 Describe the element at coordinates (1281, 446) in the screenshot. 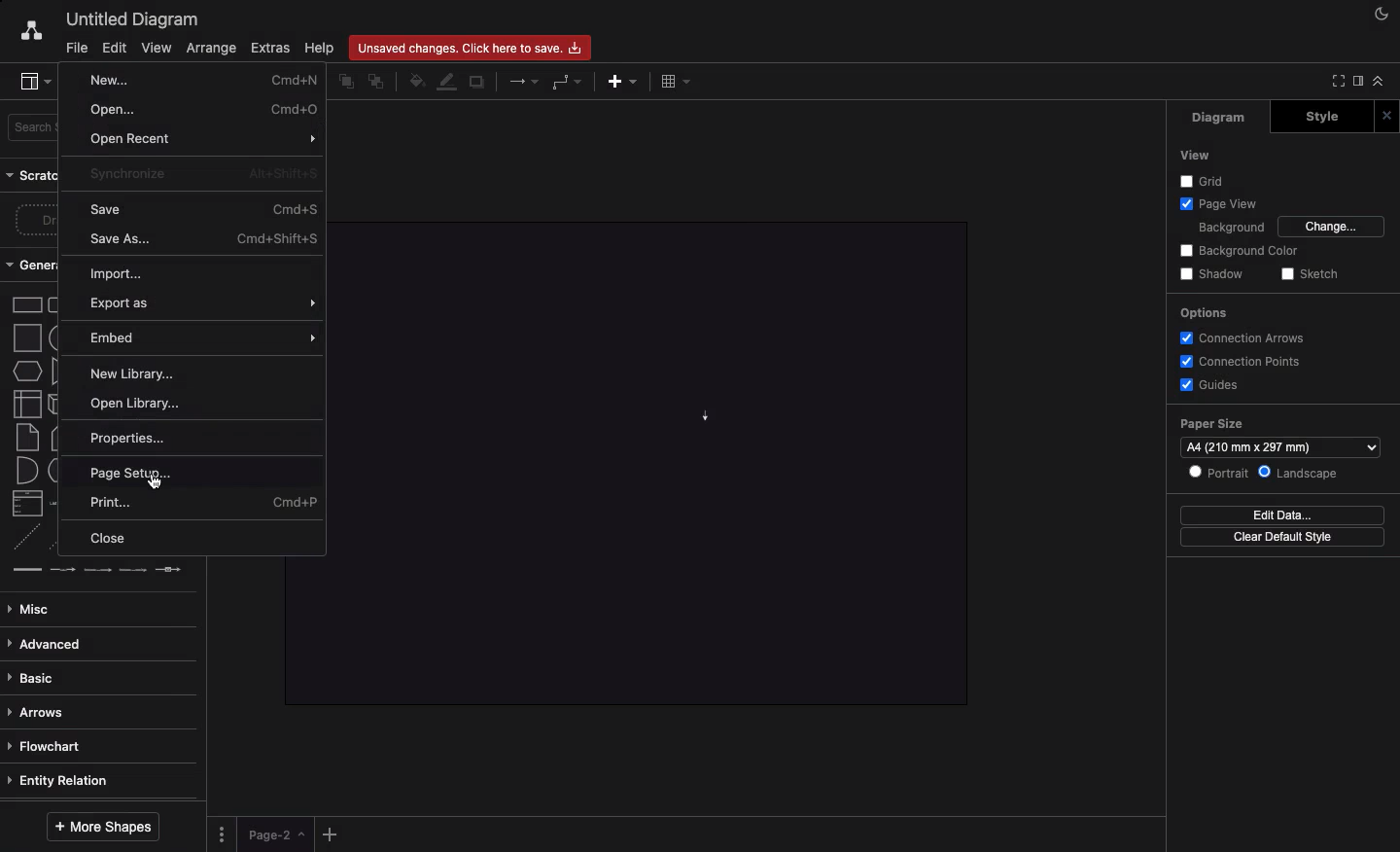

I see `A4 (210 mm x 297 mm)` at that location.